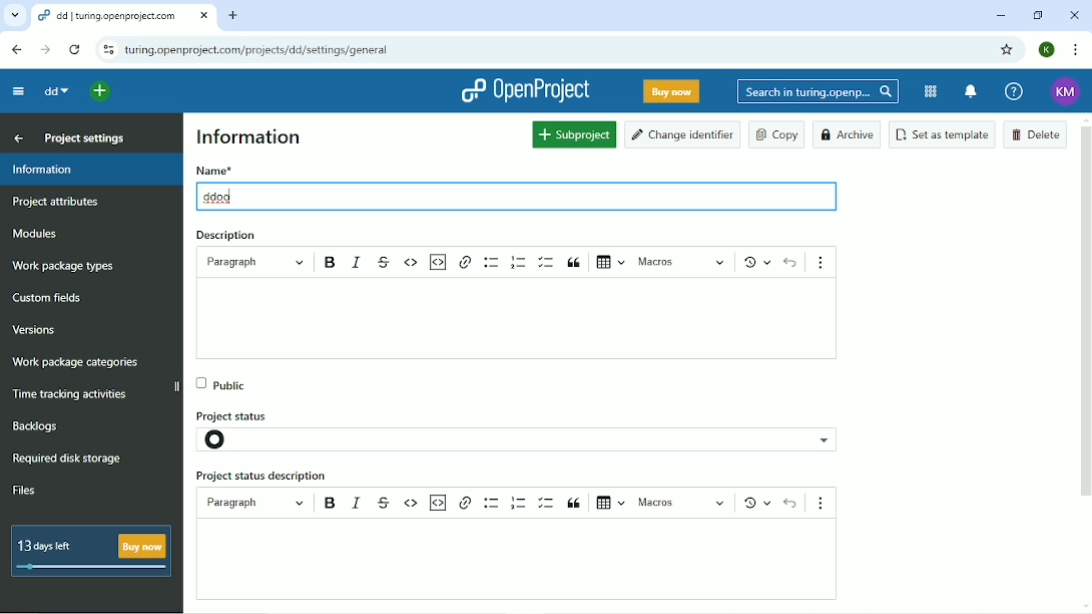  I want to click on bold, so click(328, 502).